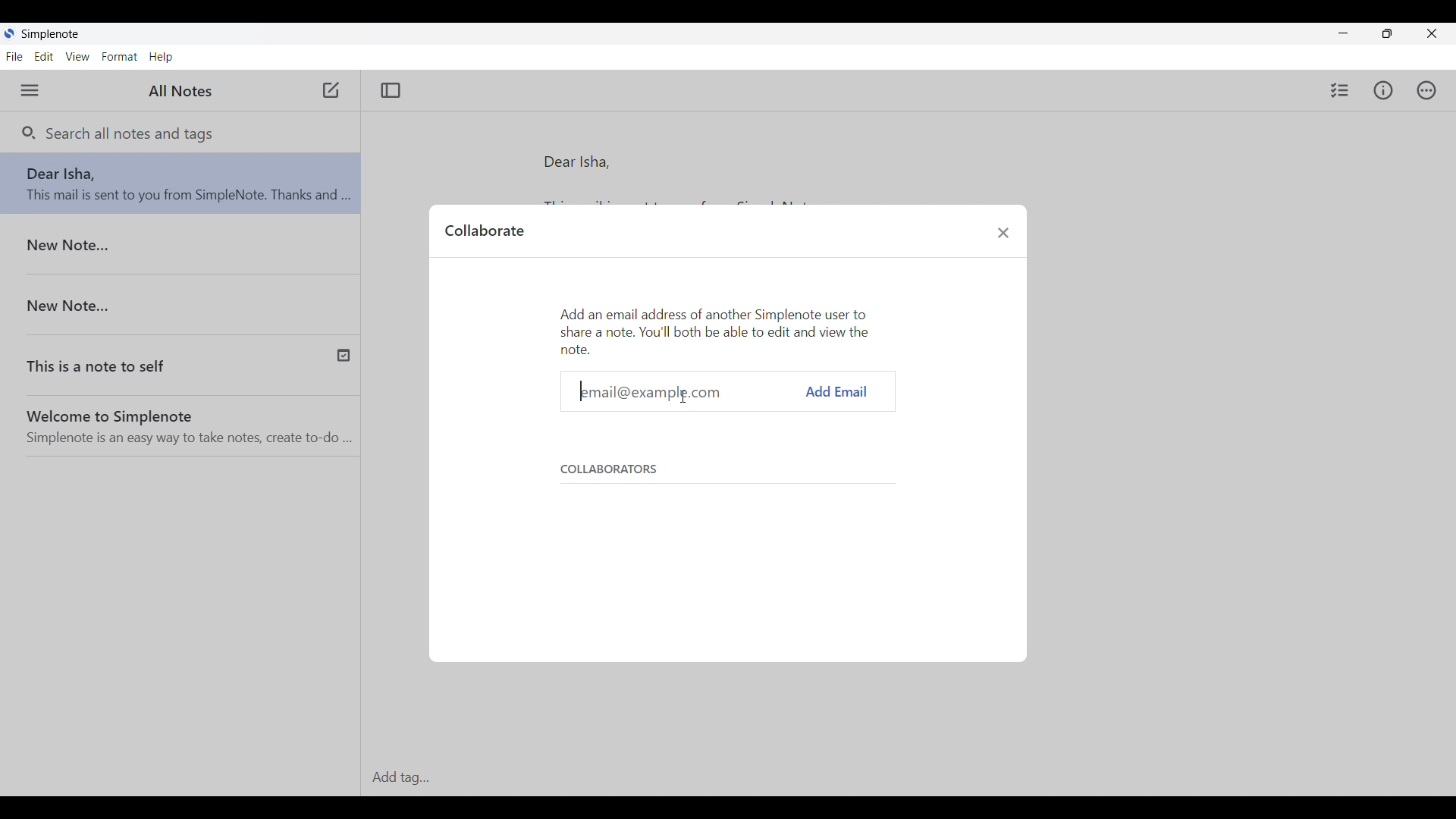 The height and width of the screenshot is (819, 1456). What do you see at coordinates (838, 392) in the screenshot?
I see `add mail` at bounding box center [838, 392].